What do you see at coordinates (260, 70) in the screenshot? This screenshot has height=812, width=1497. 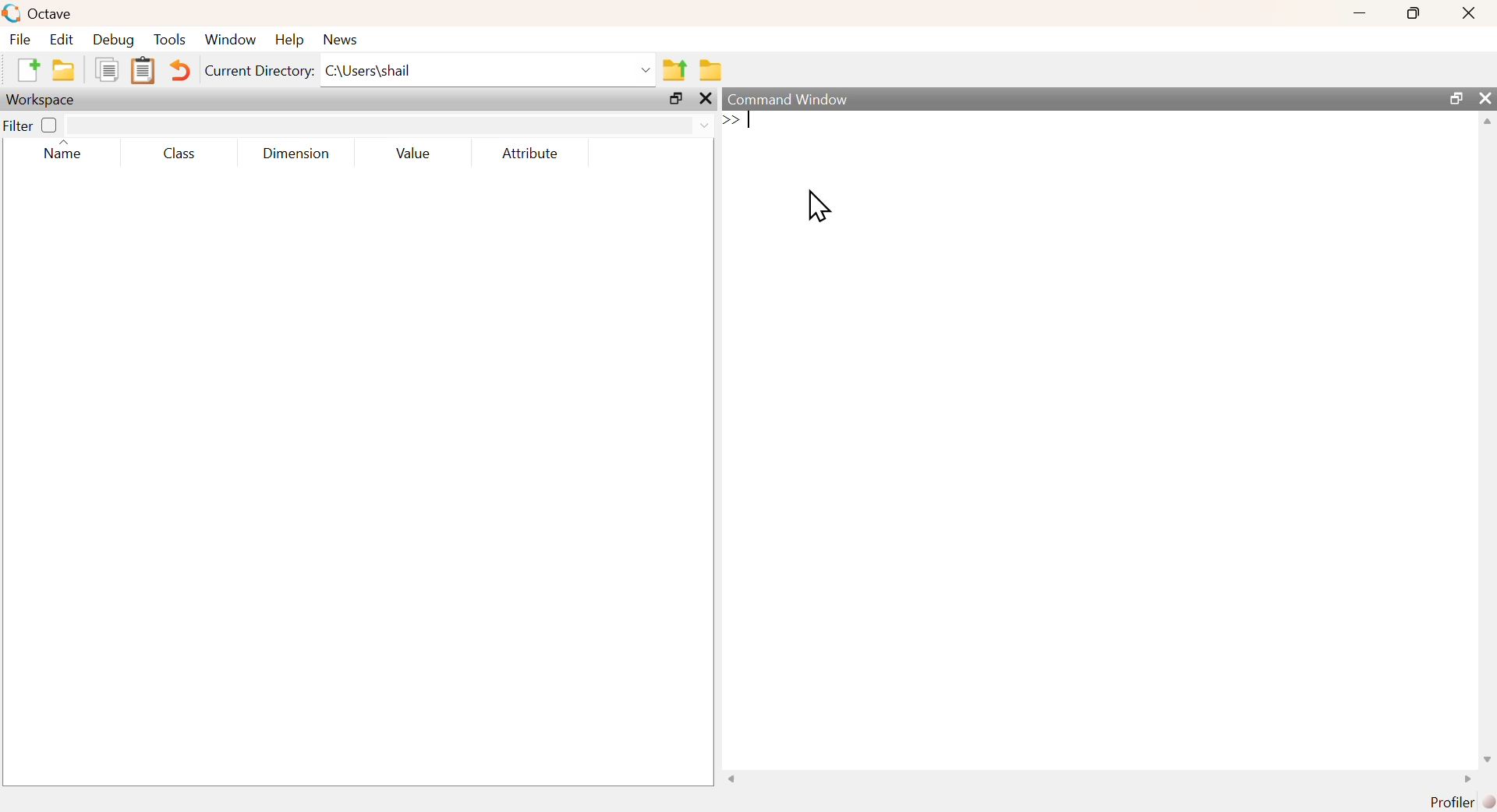 I see `Current Directory:` at bounding box center [260, 70].